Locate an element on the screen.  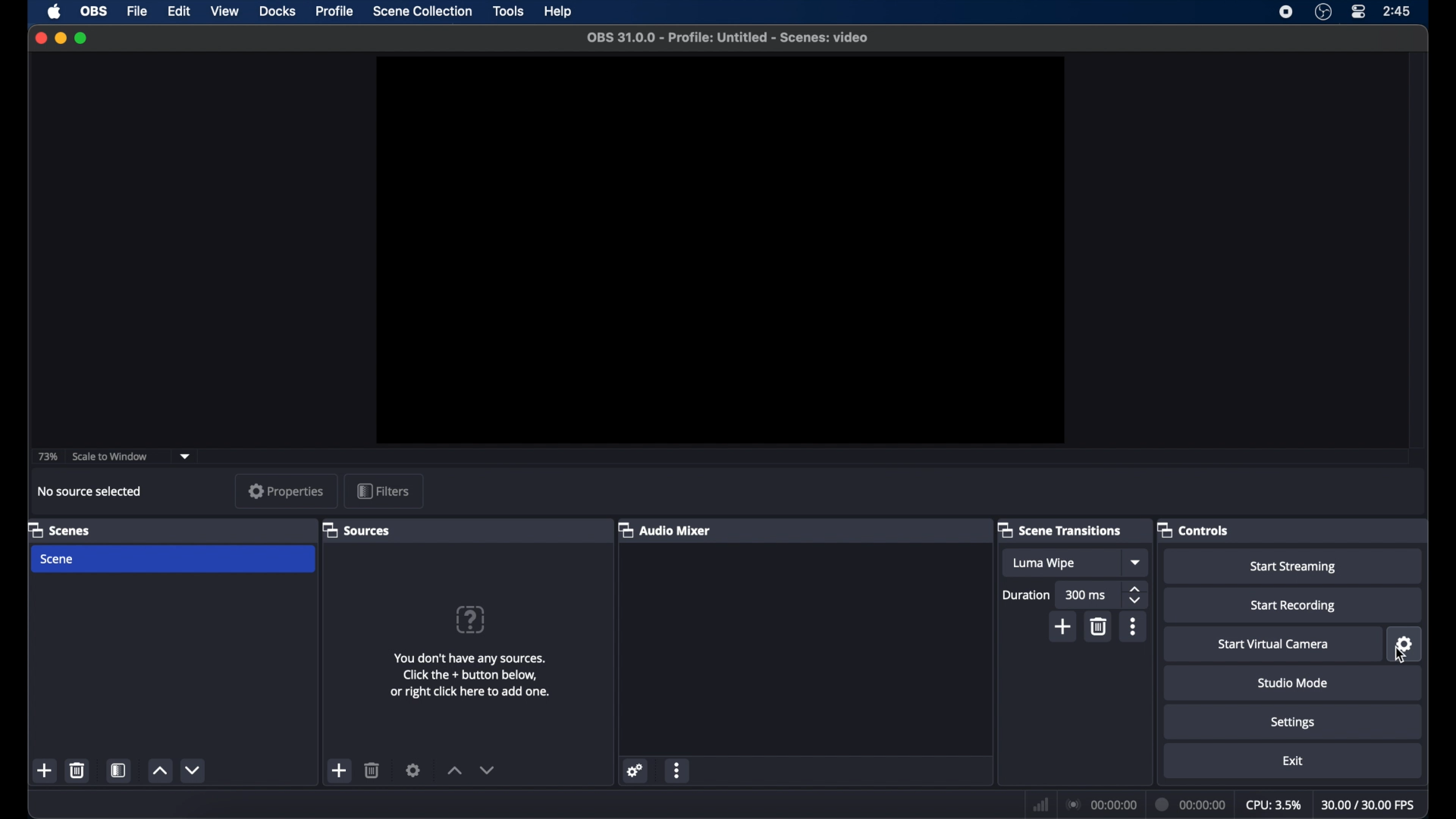
scene transitions is located at coordinates (1059, 531).